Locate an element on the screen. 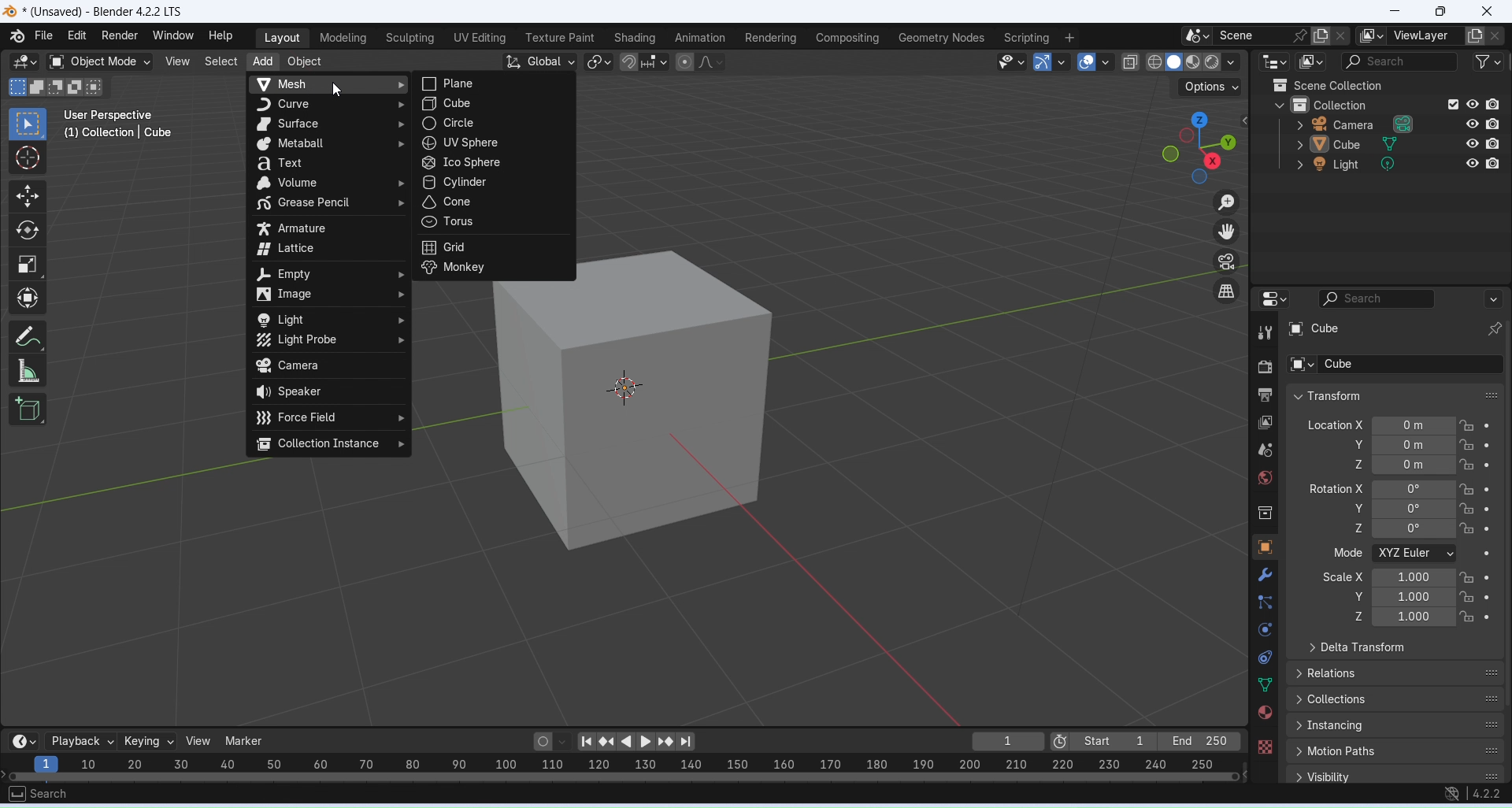 The image size is (1512, 808). Relations is located at coordinates (1397, 673).